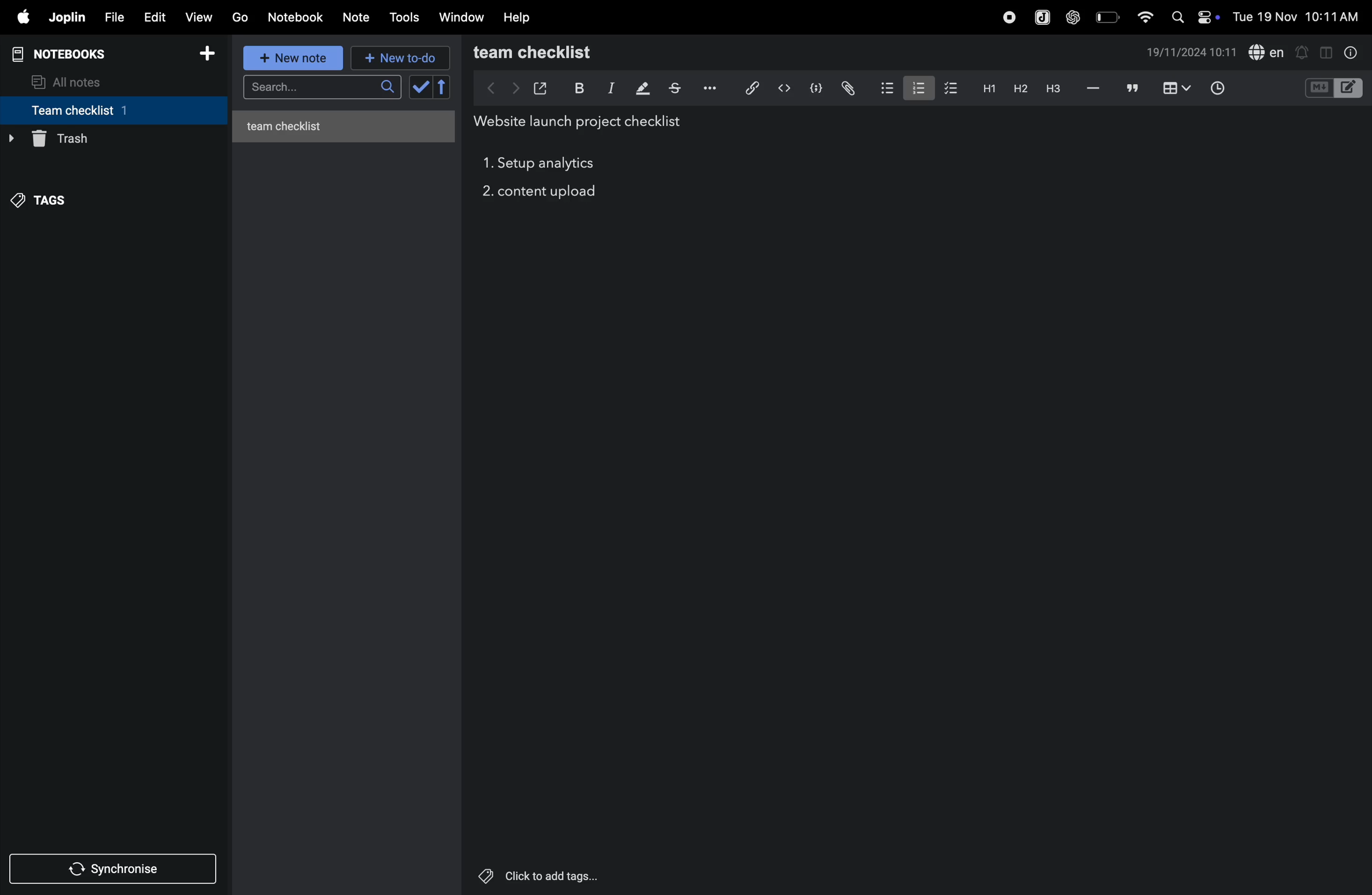 The width and height of the screenshot is (1372, 895). I want to click on backward, so click(485, 88).